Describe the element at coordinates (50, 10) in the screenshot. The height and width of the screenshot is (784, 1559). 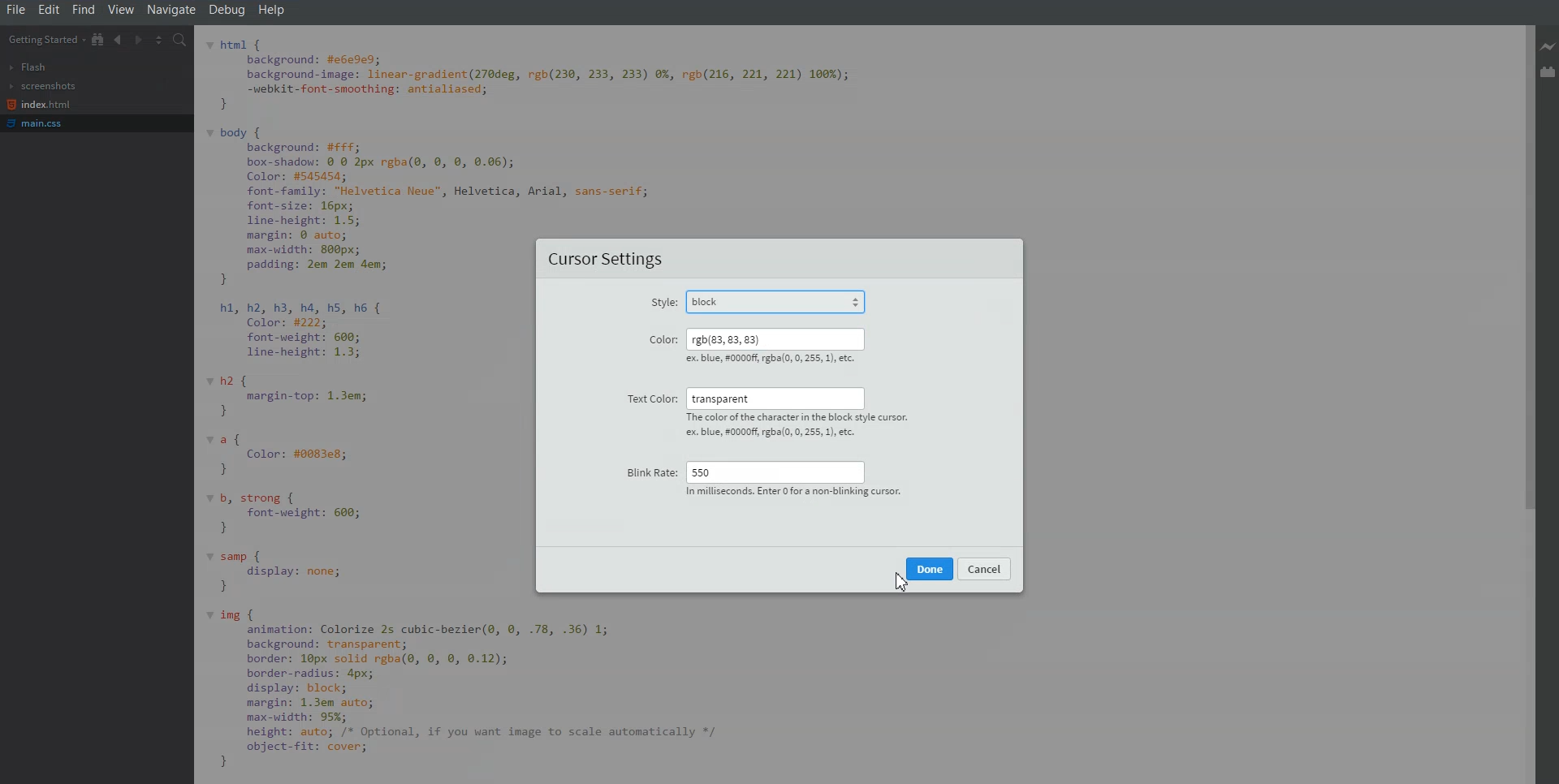
I see `Edit` at that location.